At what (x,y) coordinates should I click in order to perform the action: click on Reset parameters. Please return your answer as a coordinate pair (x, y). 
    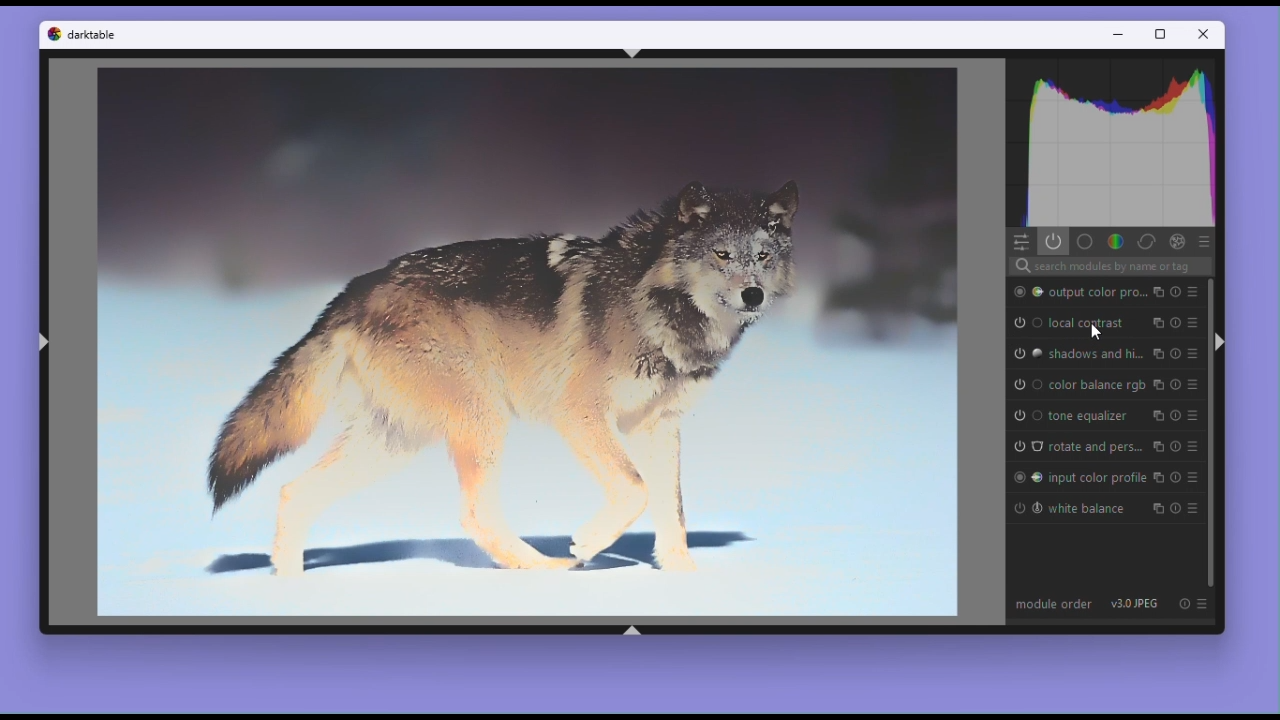
    Looking at the image, I should click on (1179, 473).